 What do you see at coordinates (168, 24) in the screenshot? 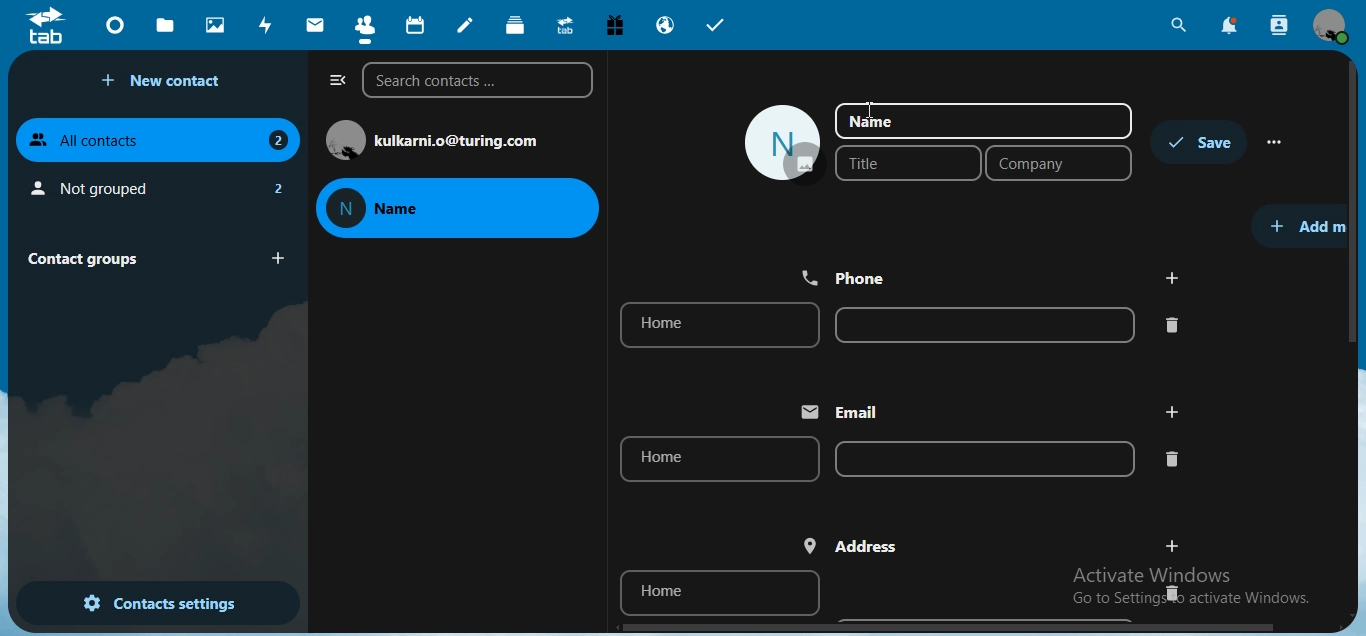
I see `files` at bounding box center [168, 24].